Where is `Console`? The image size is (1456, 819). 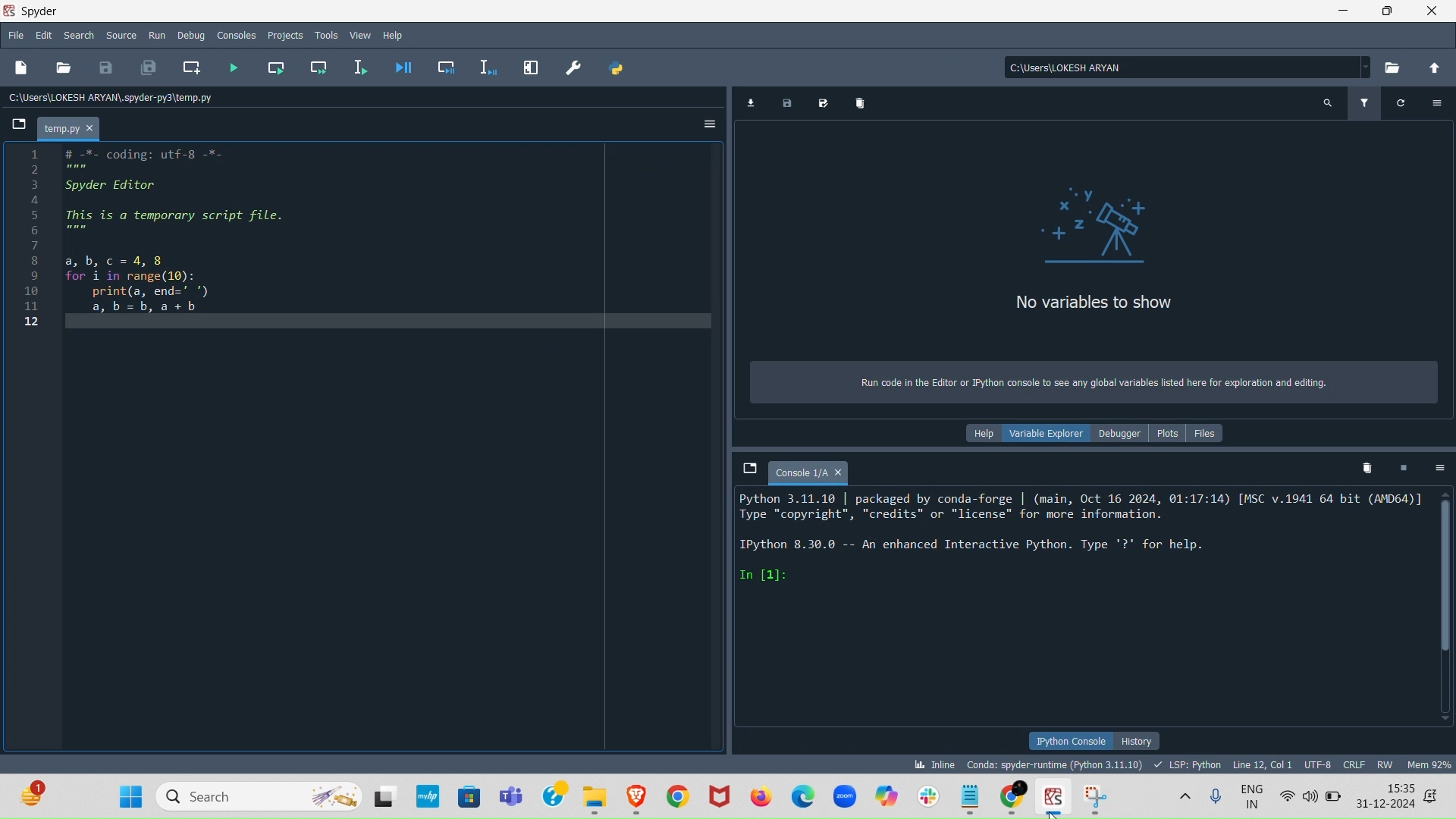
Console is located at coordinates (806, 469).